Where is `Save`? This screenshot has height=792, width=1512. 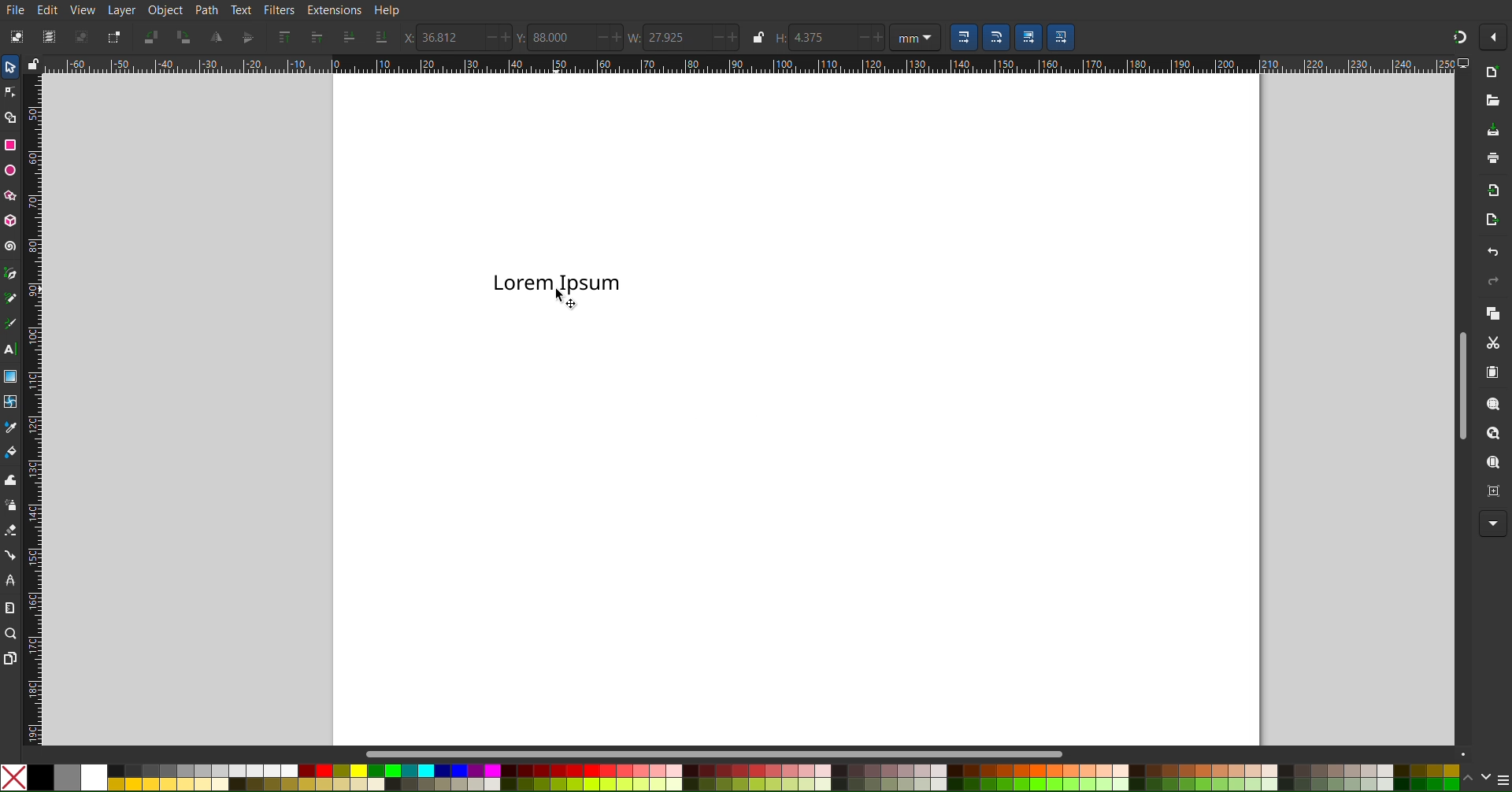 Save is located at coordinates (1493, 131).